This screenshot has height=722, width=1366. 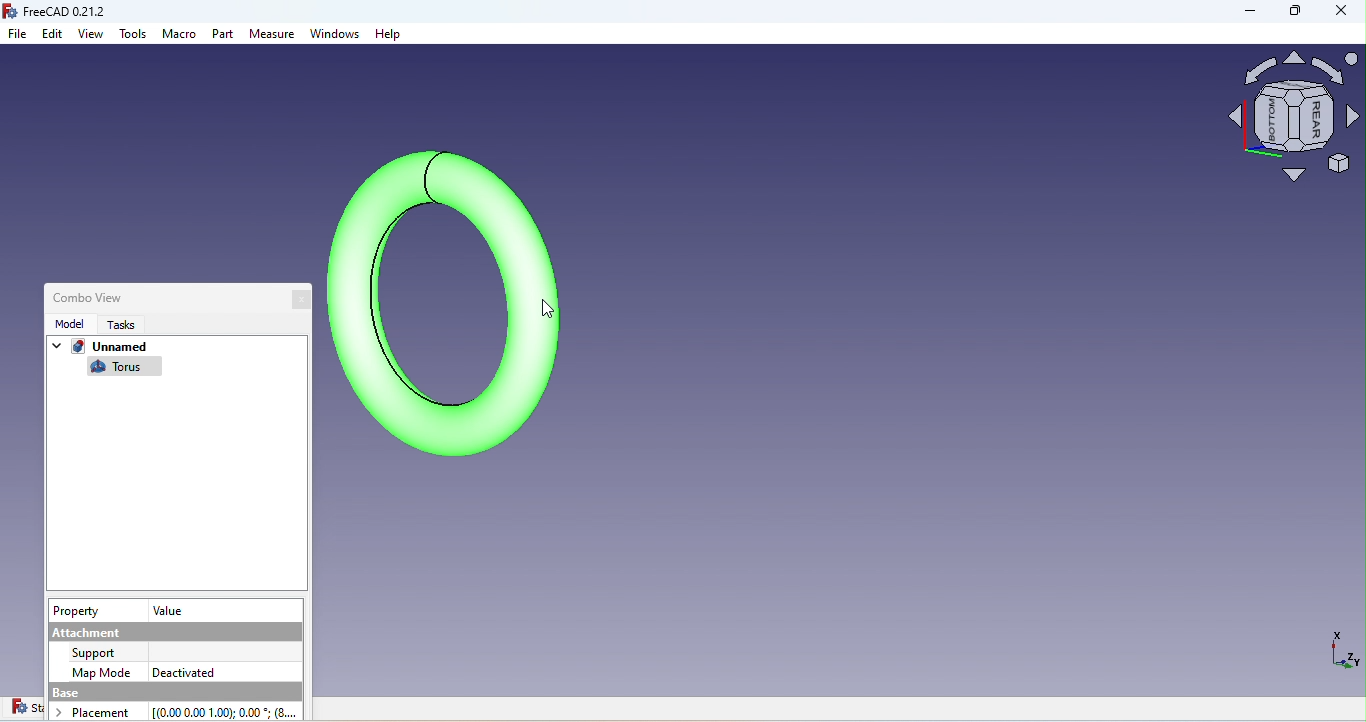 I want to click on Measure, so click(x=273, y=35).